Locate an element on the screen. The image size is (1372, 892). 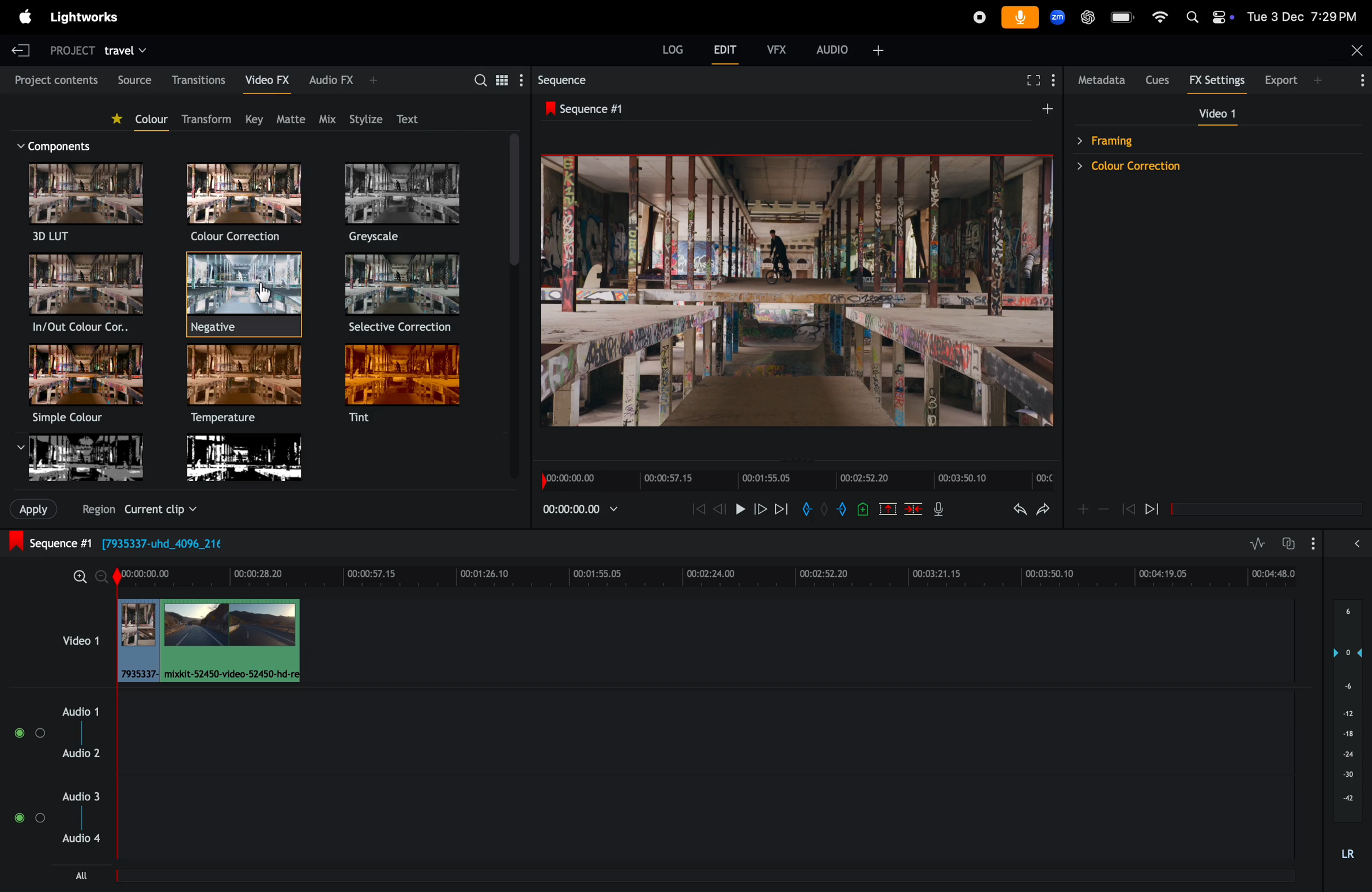
out put frame is located at coordinates (789, 291).